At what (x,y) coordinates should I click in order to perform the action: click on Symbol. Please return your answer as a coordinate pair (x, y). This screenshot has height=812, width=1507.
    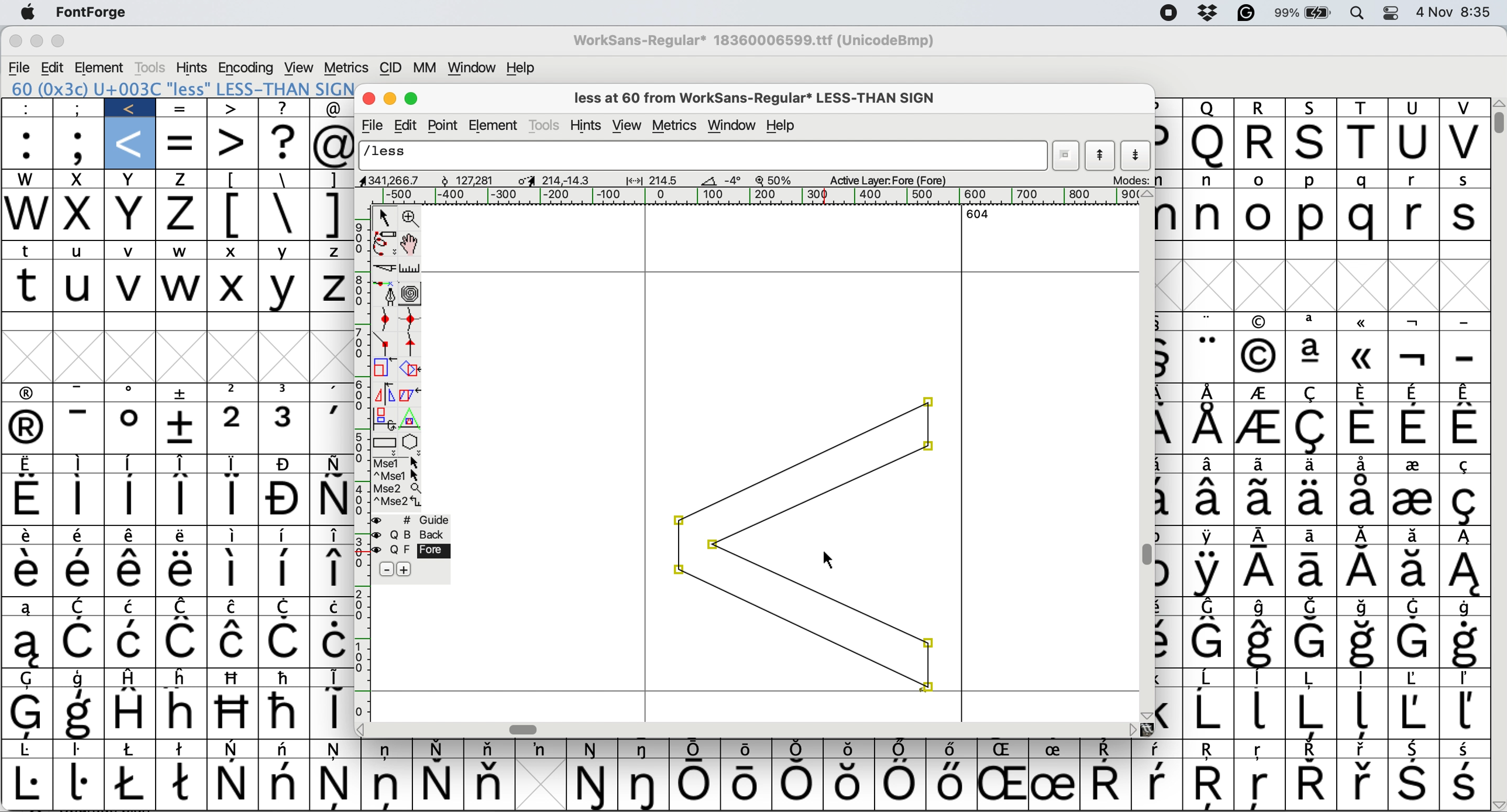
    Looking at the image, I should click on (1260, 749).